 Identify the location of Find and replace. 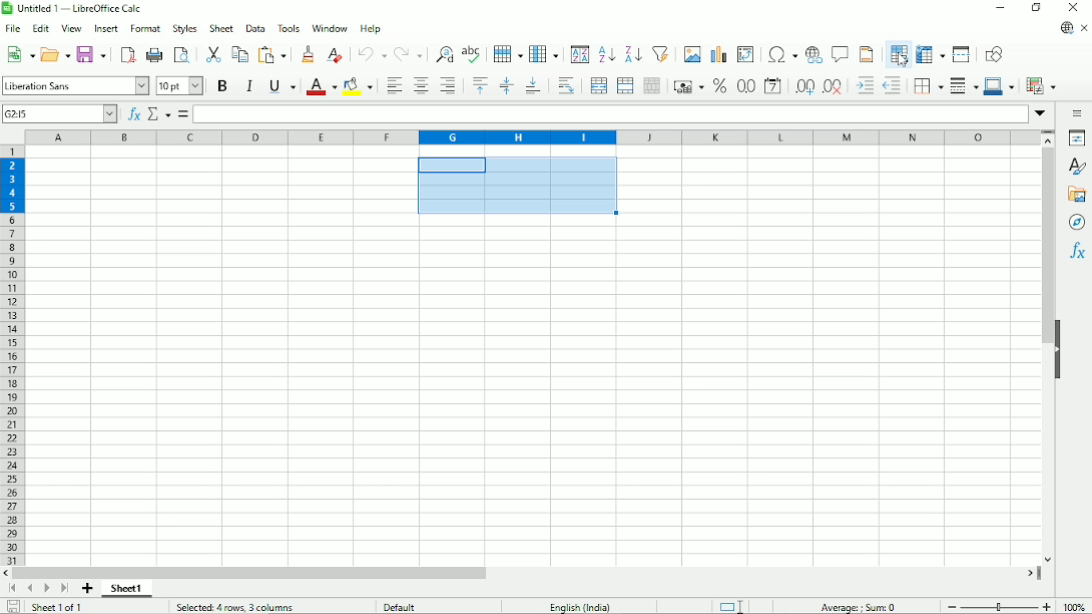
(442, 53).